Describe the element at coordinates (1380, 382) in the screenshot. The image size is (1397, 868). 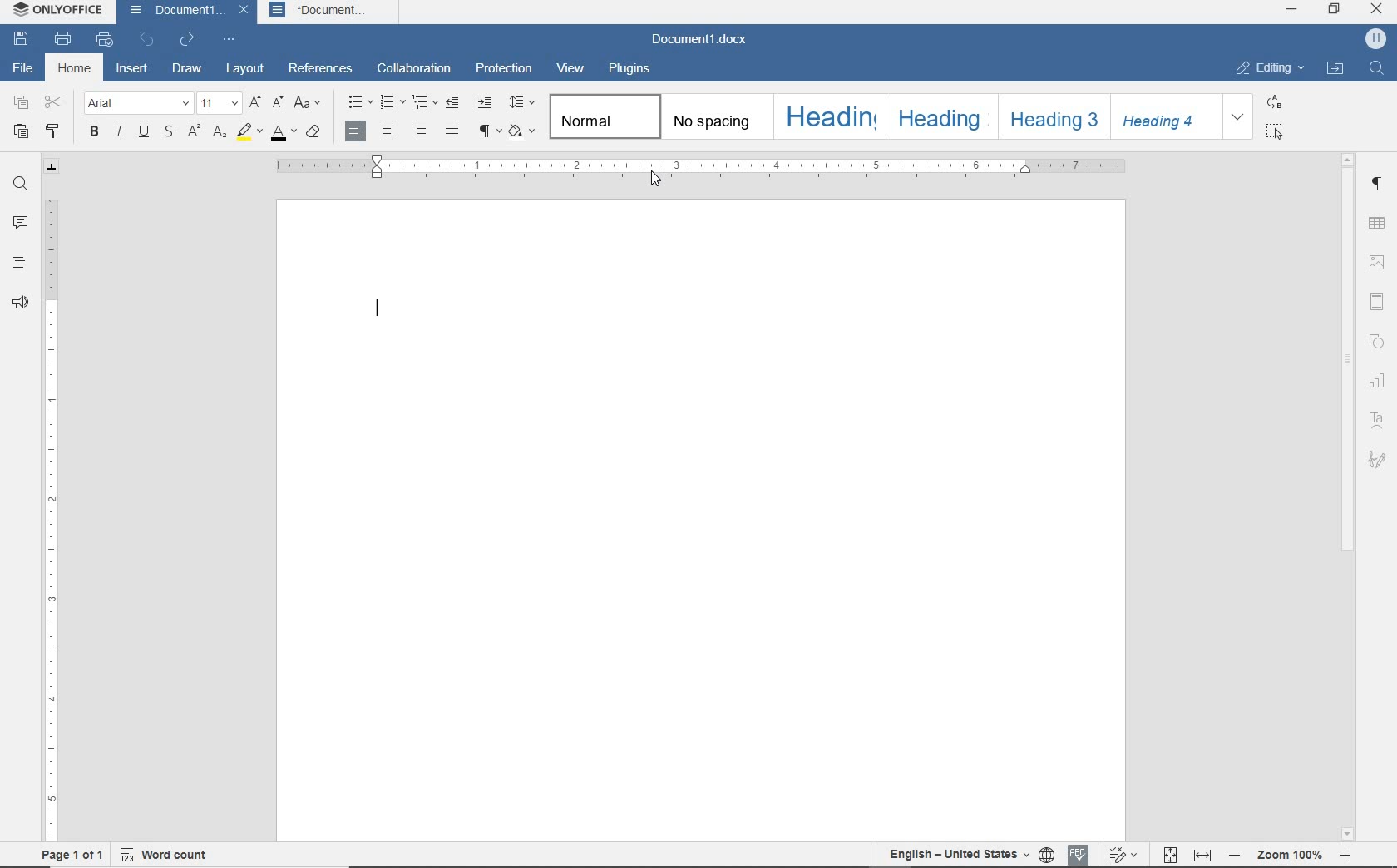
I see `charts` at that location.